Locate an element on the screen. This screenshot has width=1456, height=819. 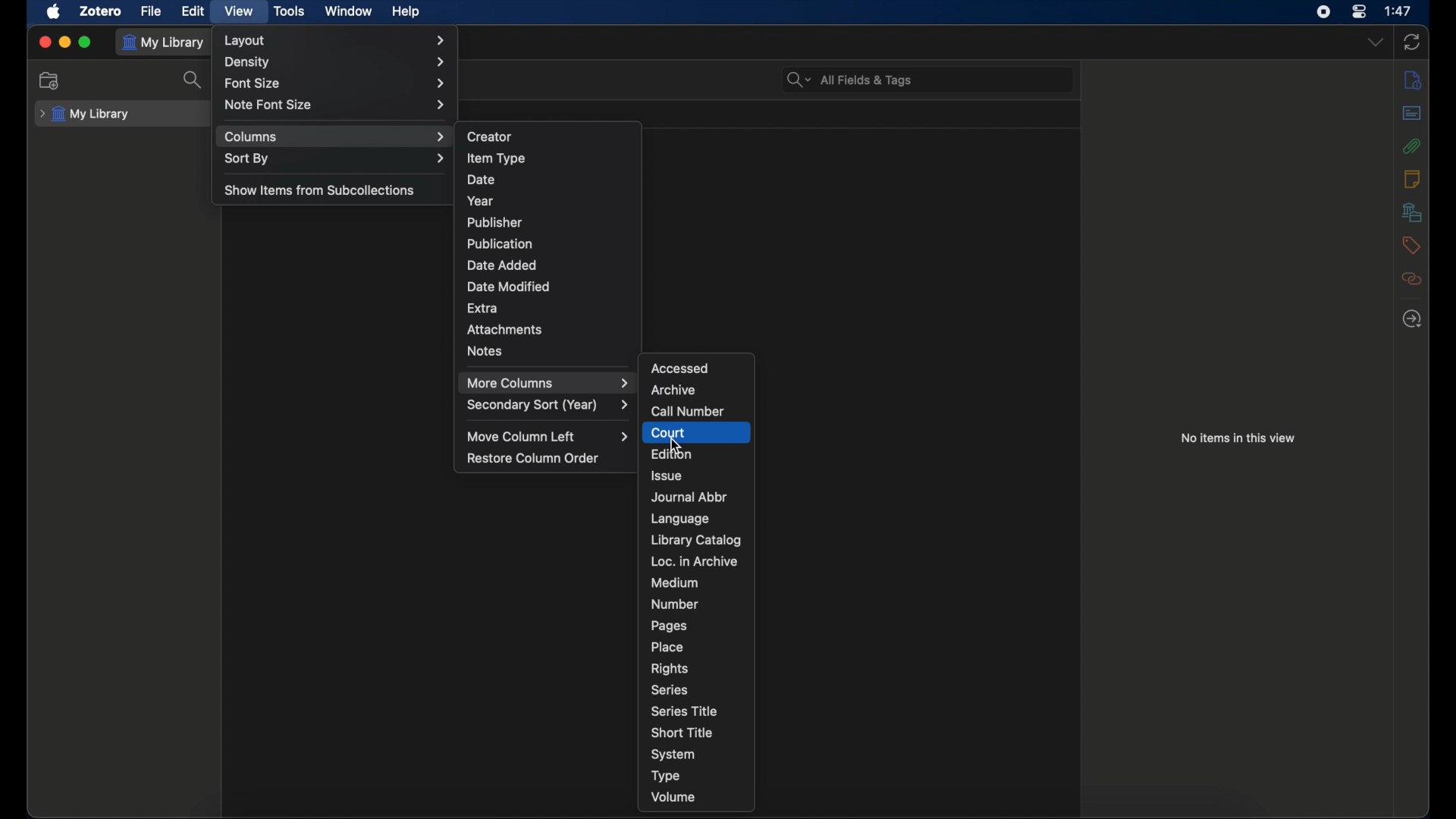
attachments is located at coordinates (505, 329).